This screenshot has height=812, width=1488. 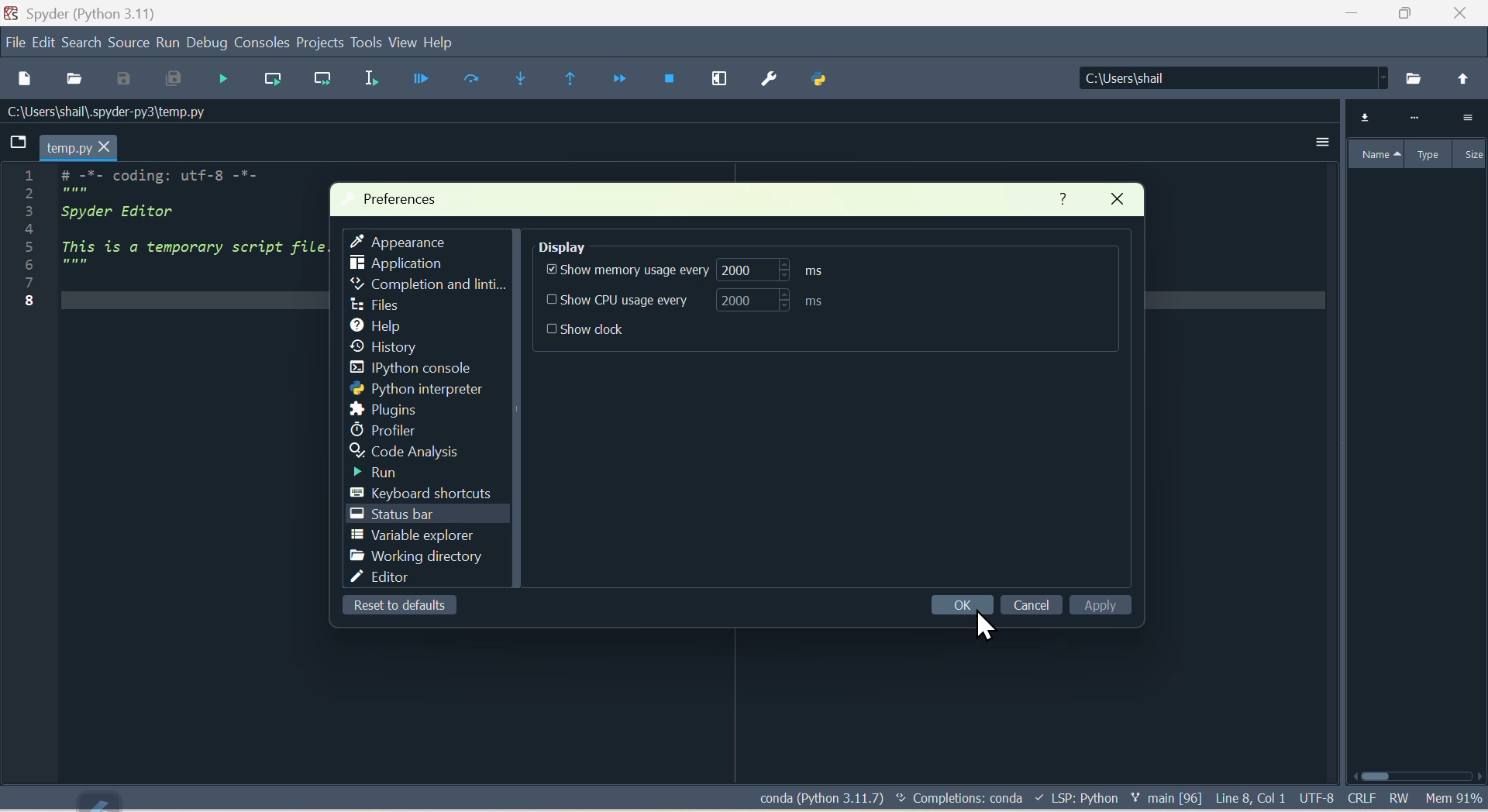 What do you see at coordinates (1028, 606) in the screenshot?
I see `cancel` at bounding box center [1028, 606].